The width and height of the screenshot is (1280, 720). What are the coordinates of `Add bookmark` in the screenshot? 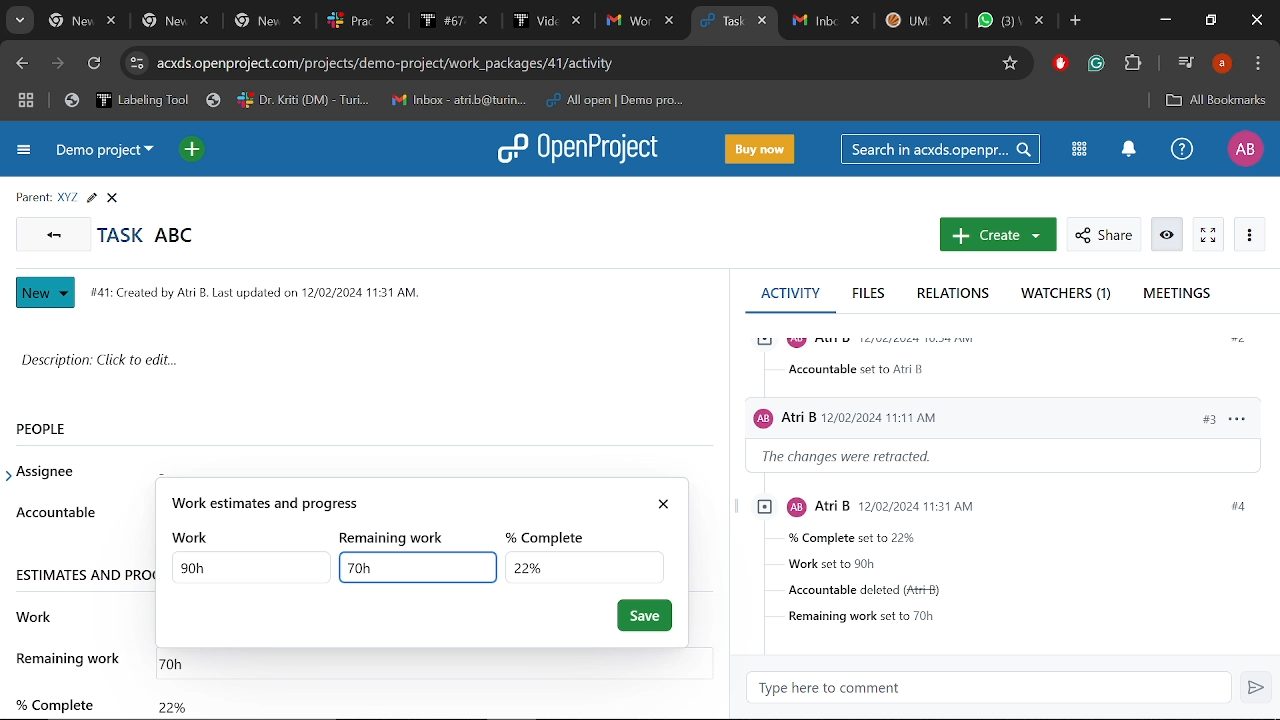 It's located at (1215, 100).